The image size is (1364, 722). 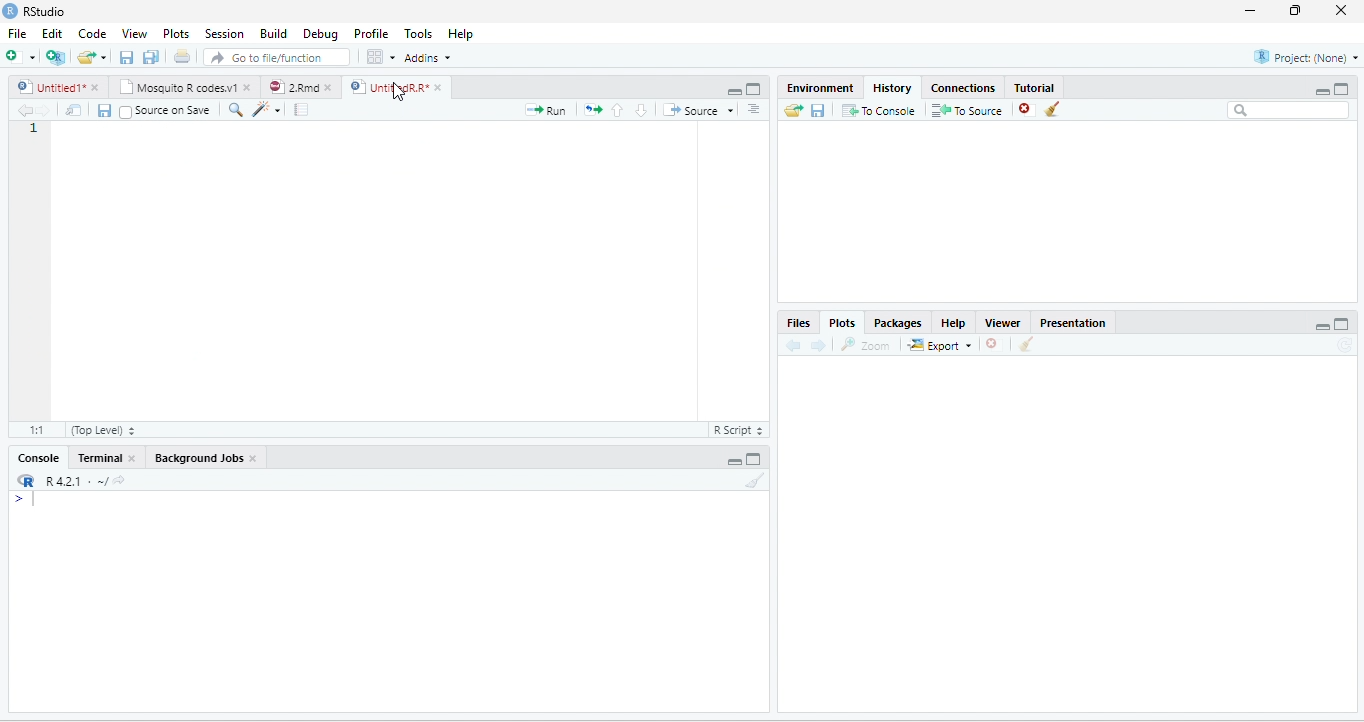 I want to click on 1:1, so click(x=34, y=429).